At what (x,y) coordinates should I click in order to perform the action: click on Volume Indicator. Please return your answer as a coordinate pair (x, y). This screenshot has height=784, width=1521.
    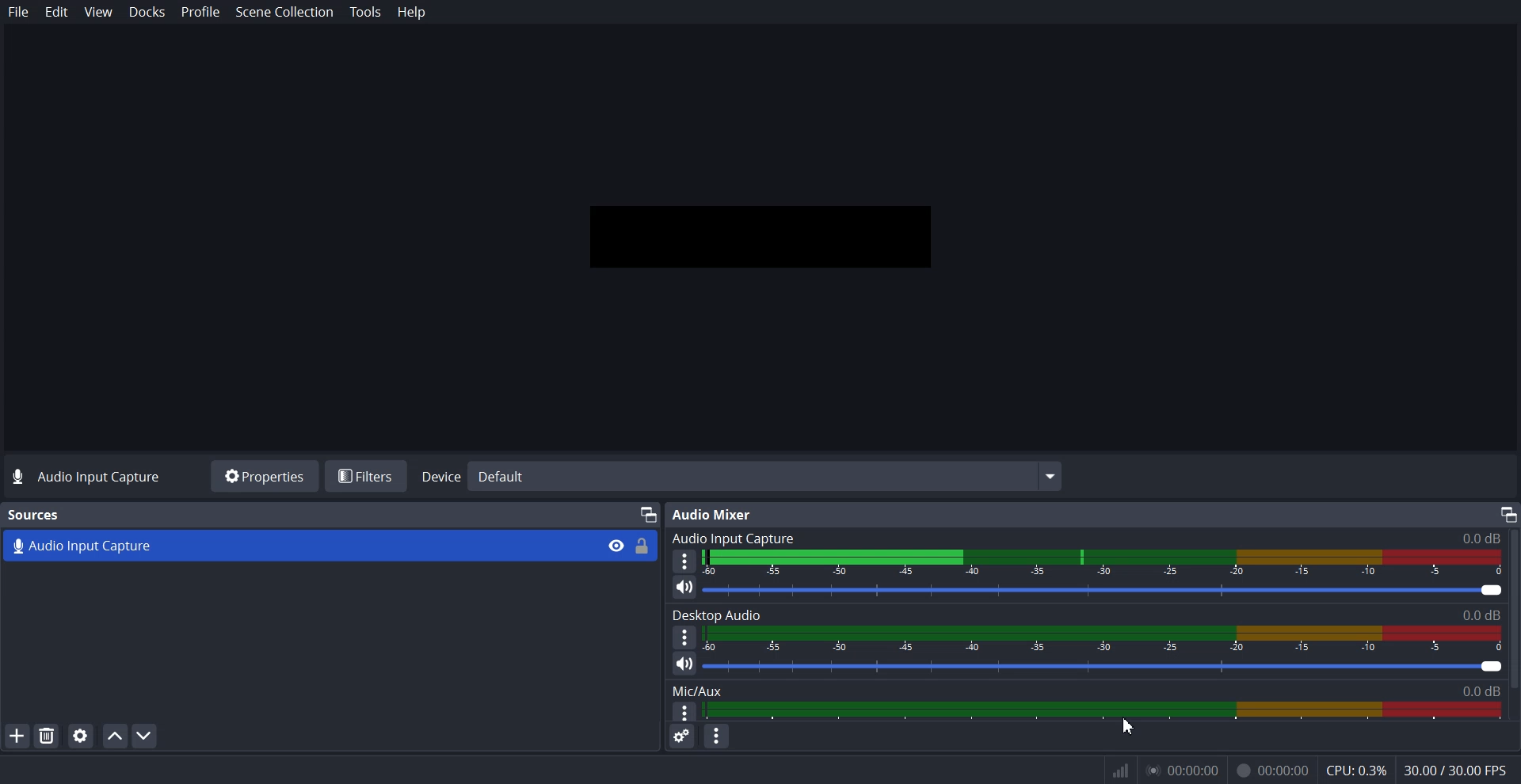
    Looking at the image, I should click on (1113, 641).